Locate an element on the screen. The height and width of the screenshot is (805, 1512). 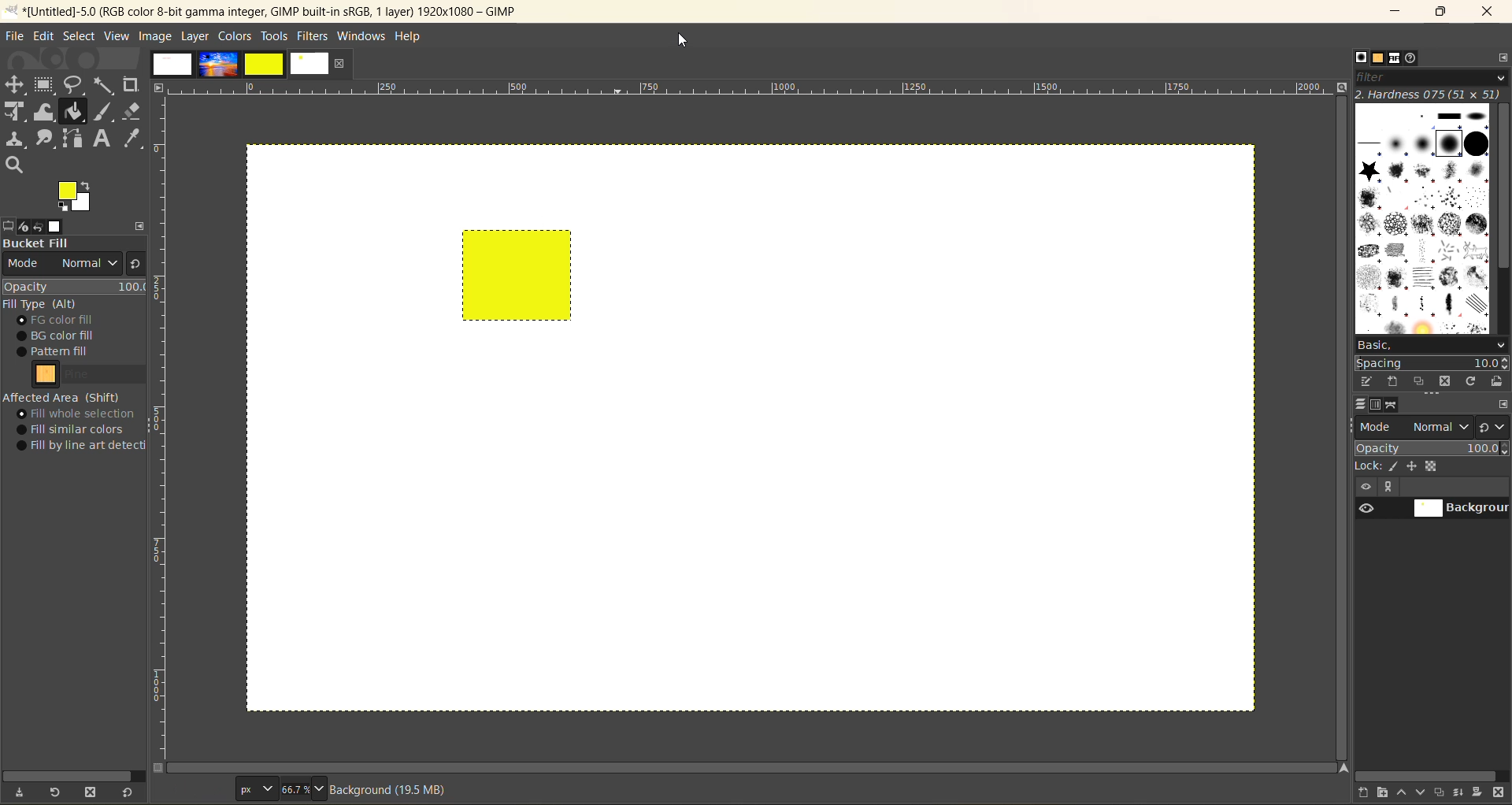
file name and app name is located at coordinates (278, 11).